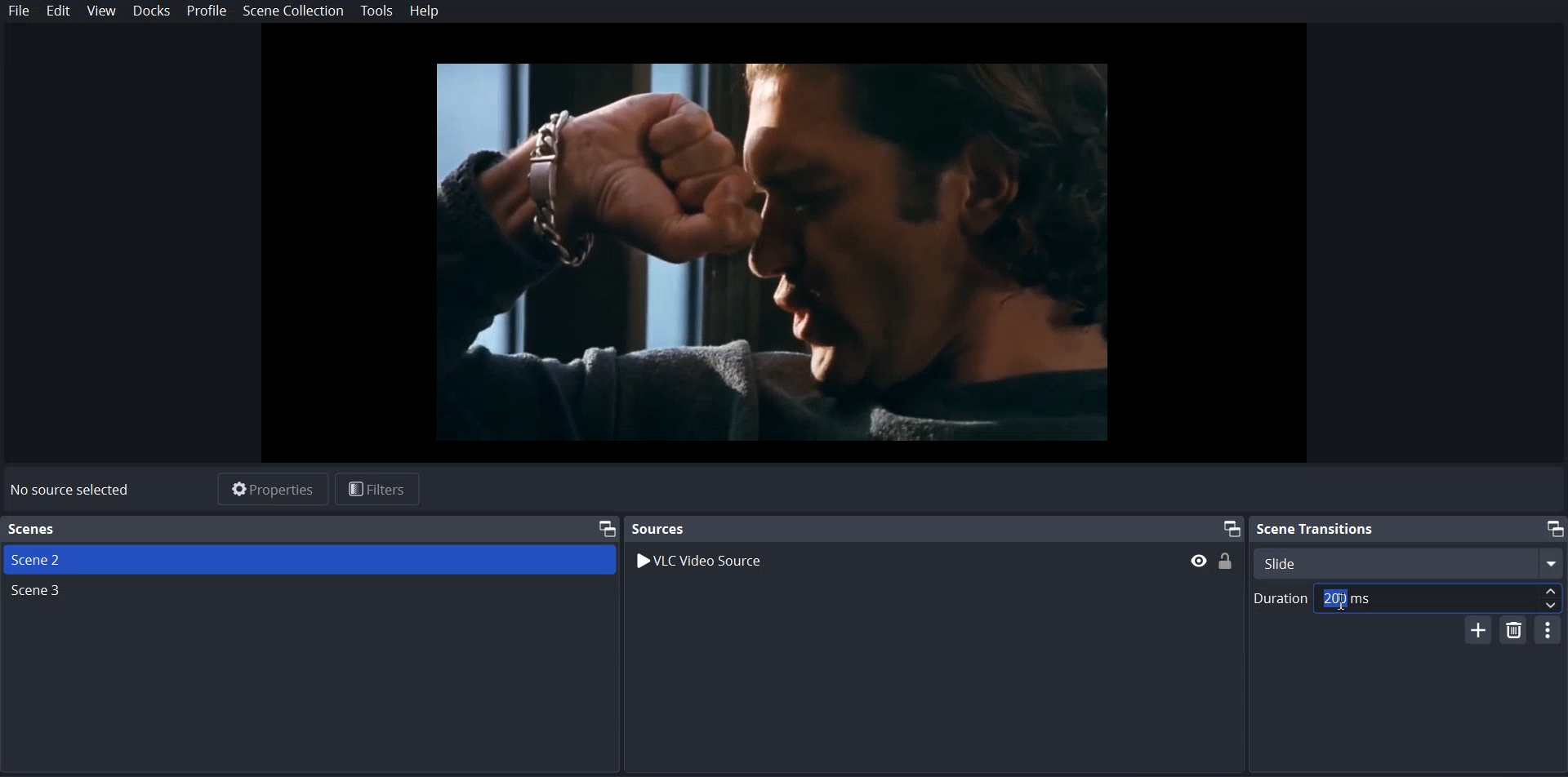  Describe the element at coordinates (1199, 561) in the screenshot. I see `hide/display` at that location.